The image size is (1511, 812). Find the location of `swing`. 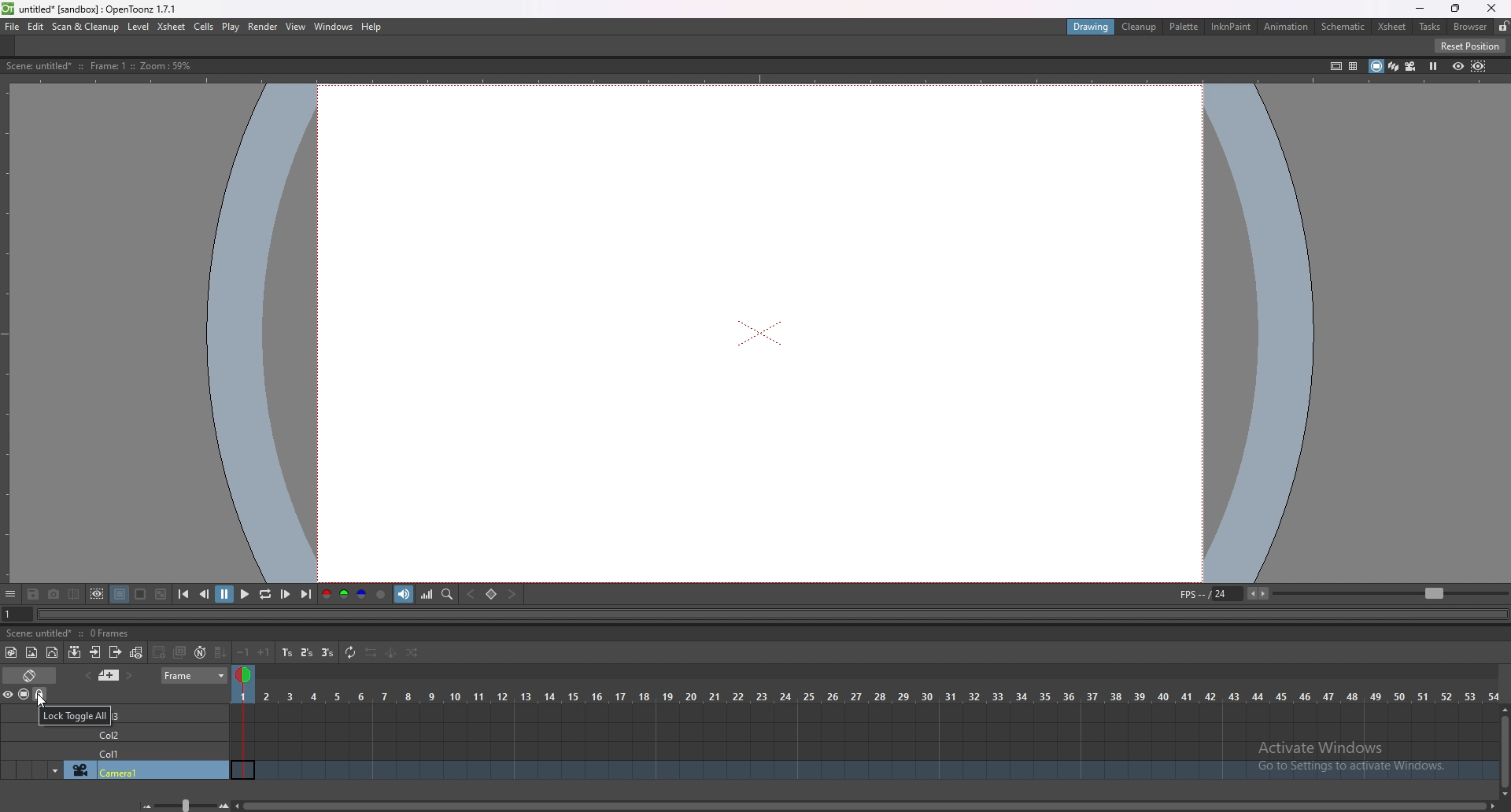

swing is located at coordinates (390, 654).